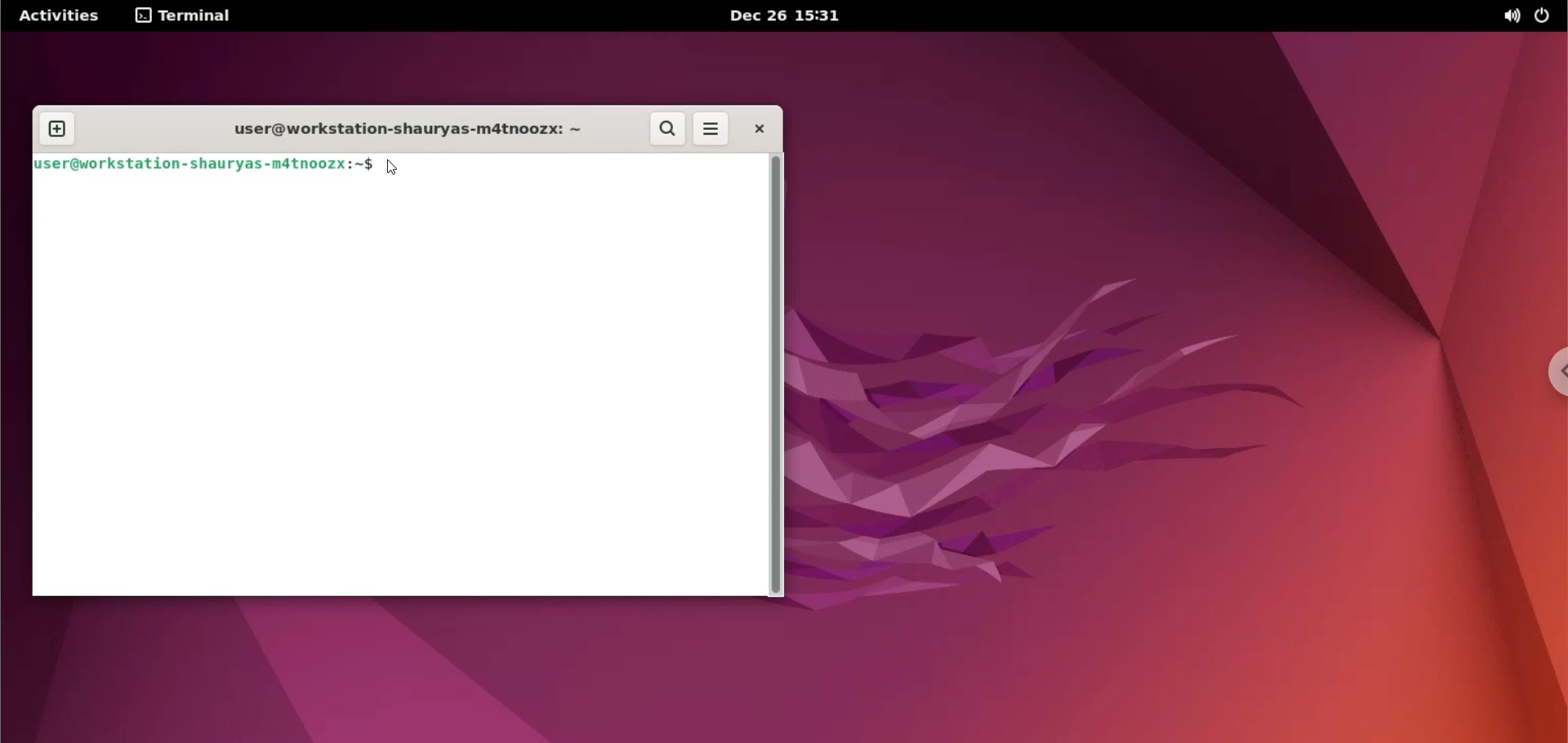  I want to click on scrollbar navigation, so click(775, 374).